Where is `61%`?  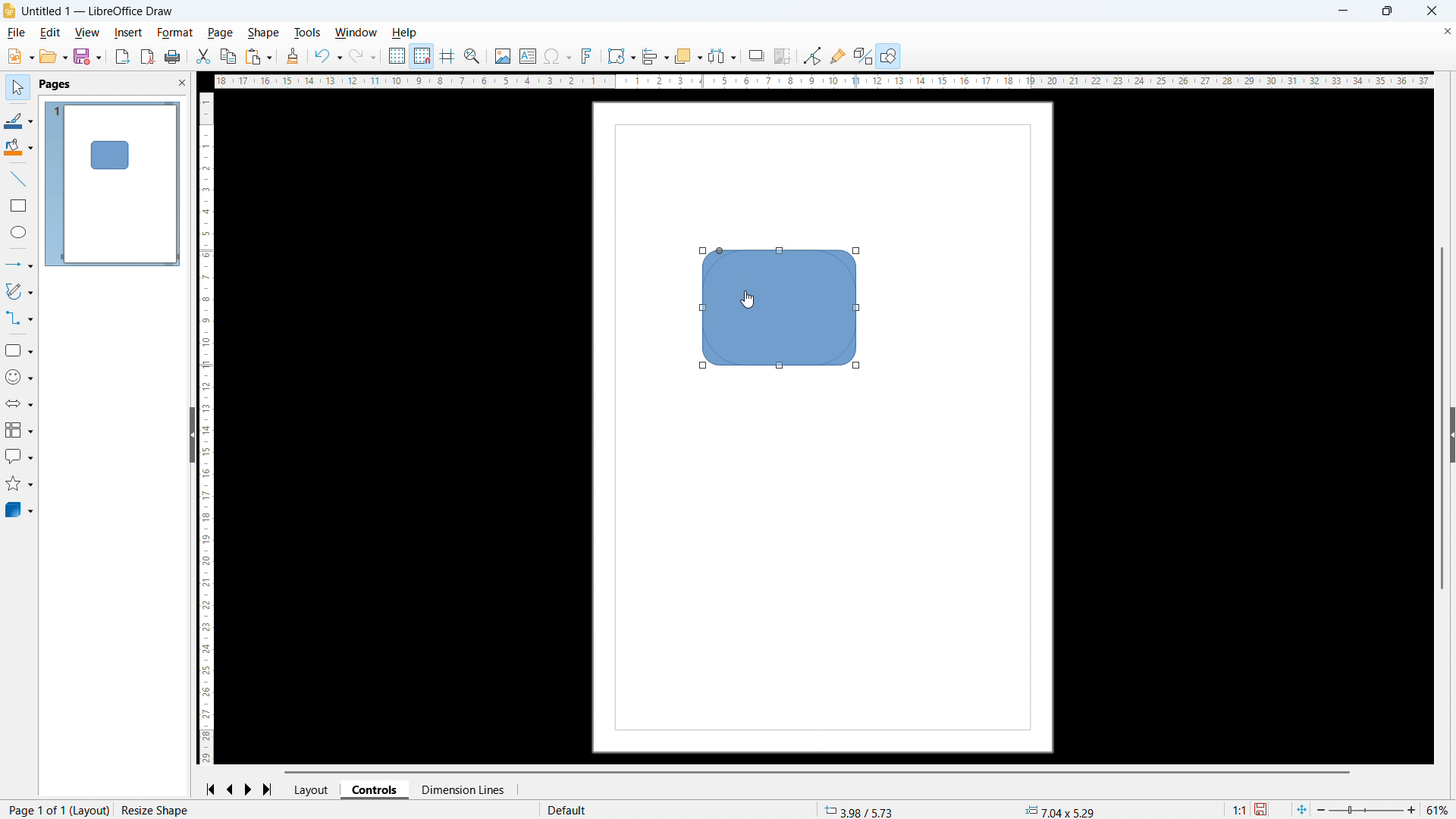
61% is located at coordinates (1439, 810).